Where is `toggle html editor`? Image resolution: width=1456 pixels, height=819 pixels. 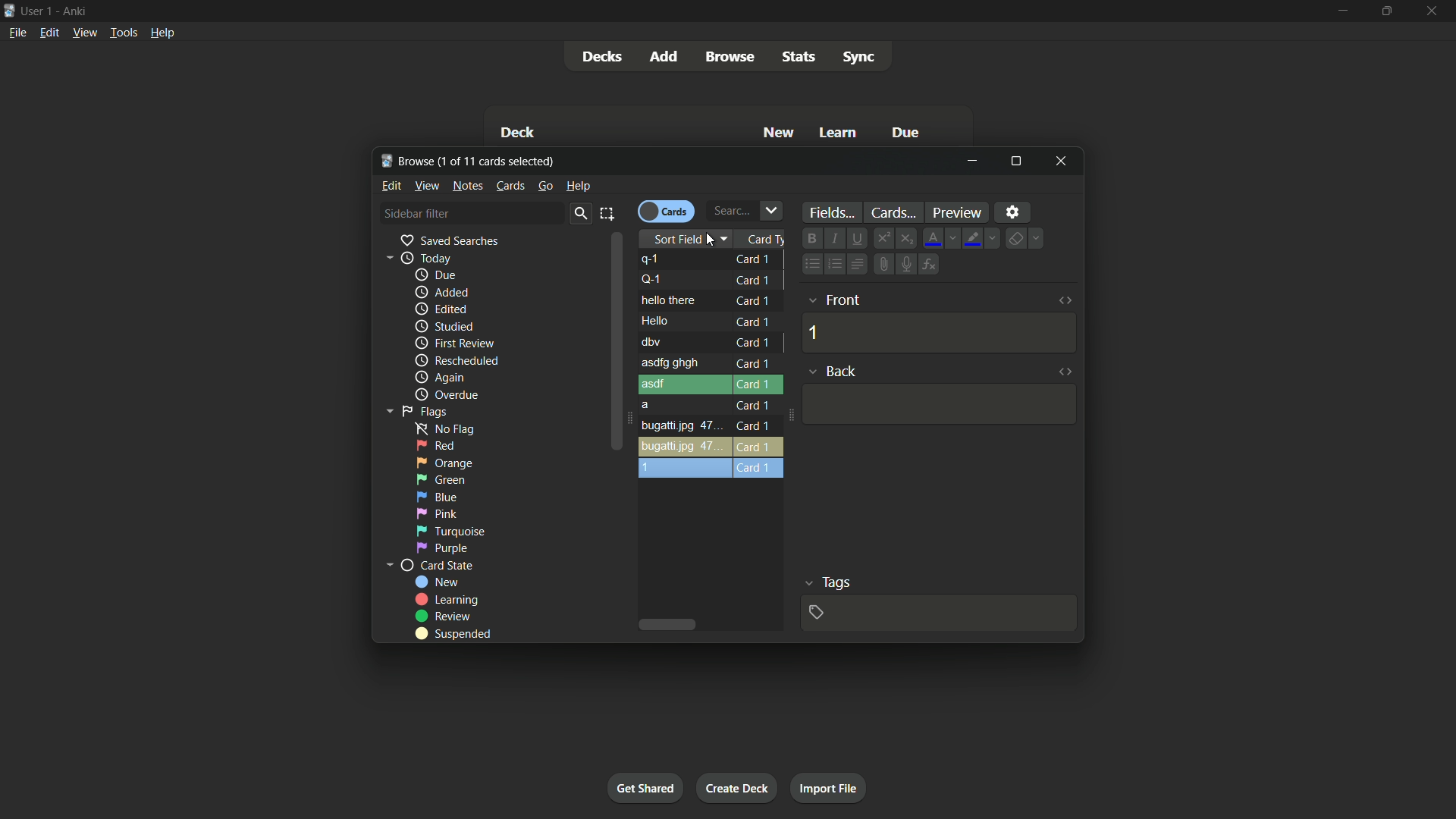
toggle html editor is located at coordinates (1064, 371).